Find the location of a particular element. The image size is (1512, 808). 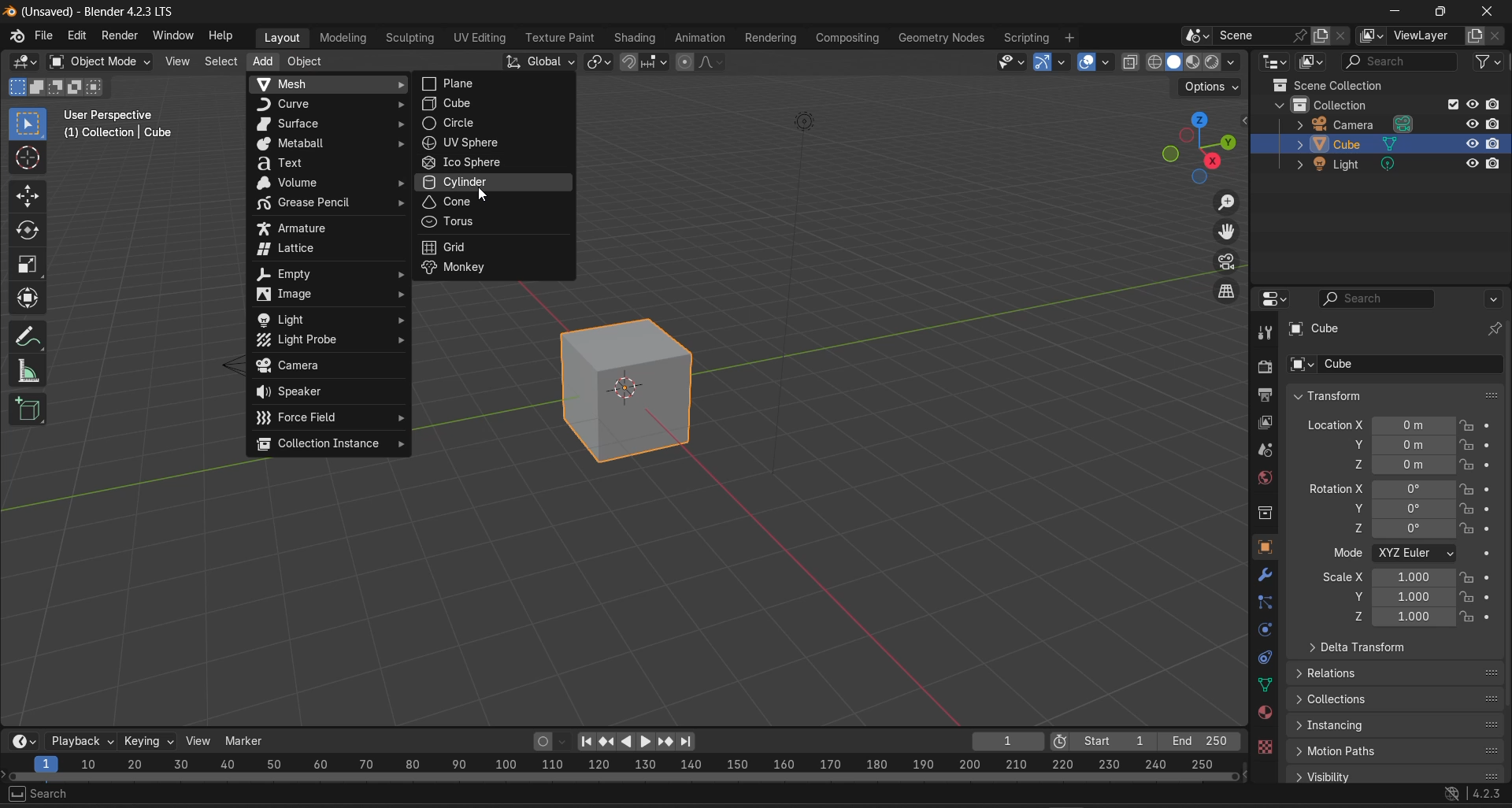

add view layer is located at coordinates (1474, 36).